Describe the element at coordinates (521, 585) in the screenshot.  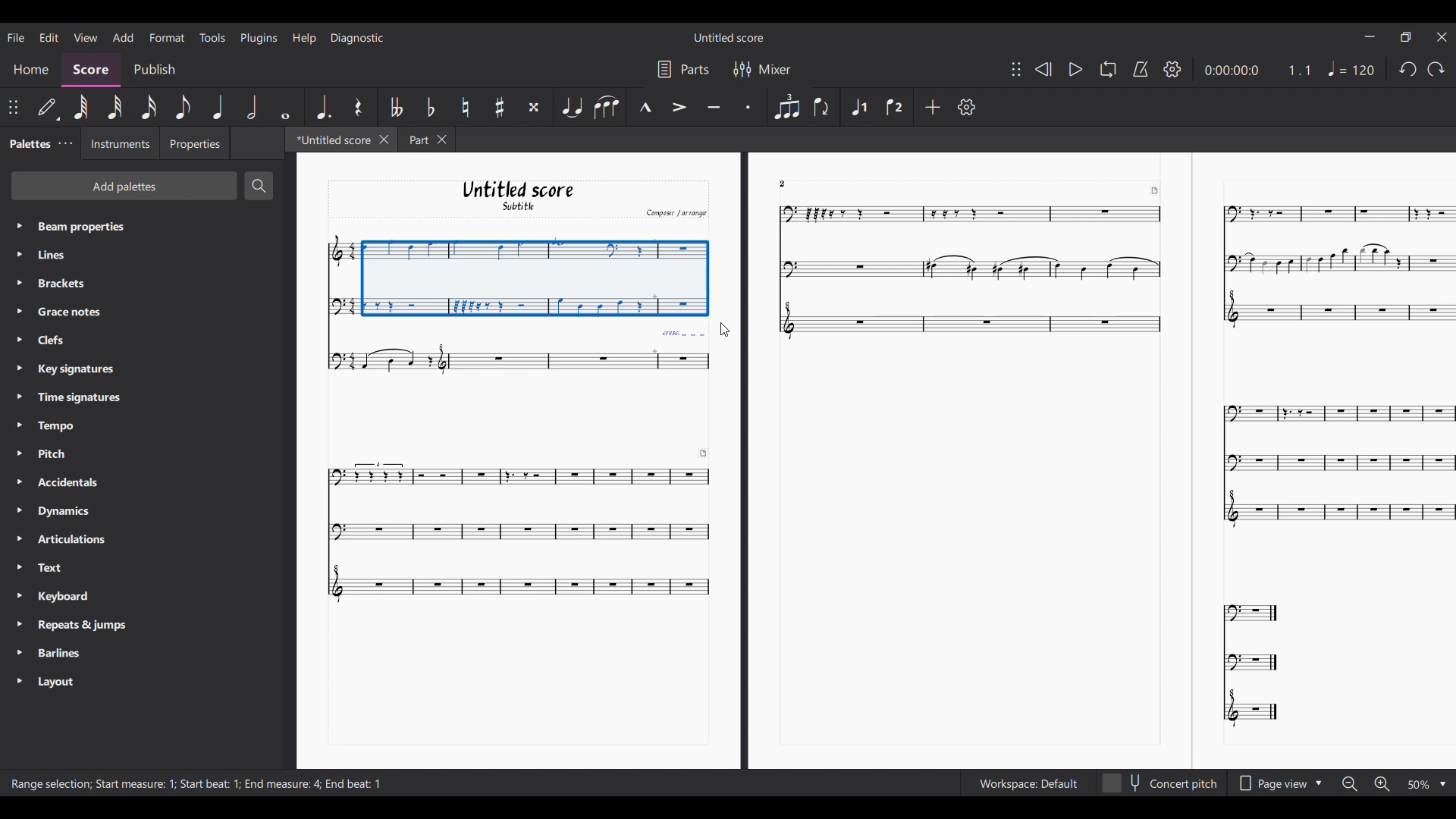
I see `` at that location.